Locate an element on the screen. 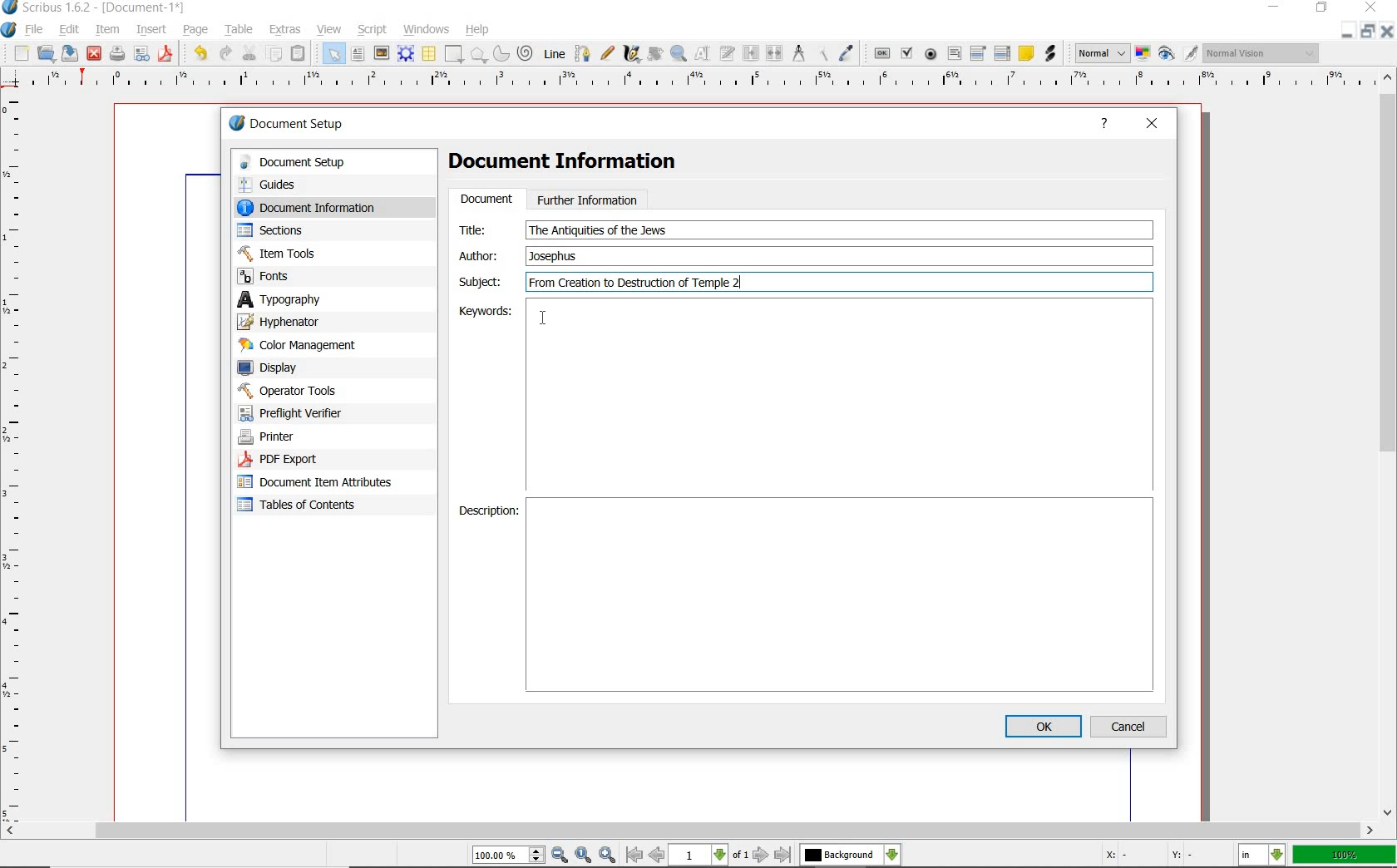 Image resolution: width=1397 pixels, height=868 pixels. freehand line is located at coordinates (606, 52).